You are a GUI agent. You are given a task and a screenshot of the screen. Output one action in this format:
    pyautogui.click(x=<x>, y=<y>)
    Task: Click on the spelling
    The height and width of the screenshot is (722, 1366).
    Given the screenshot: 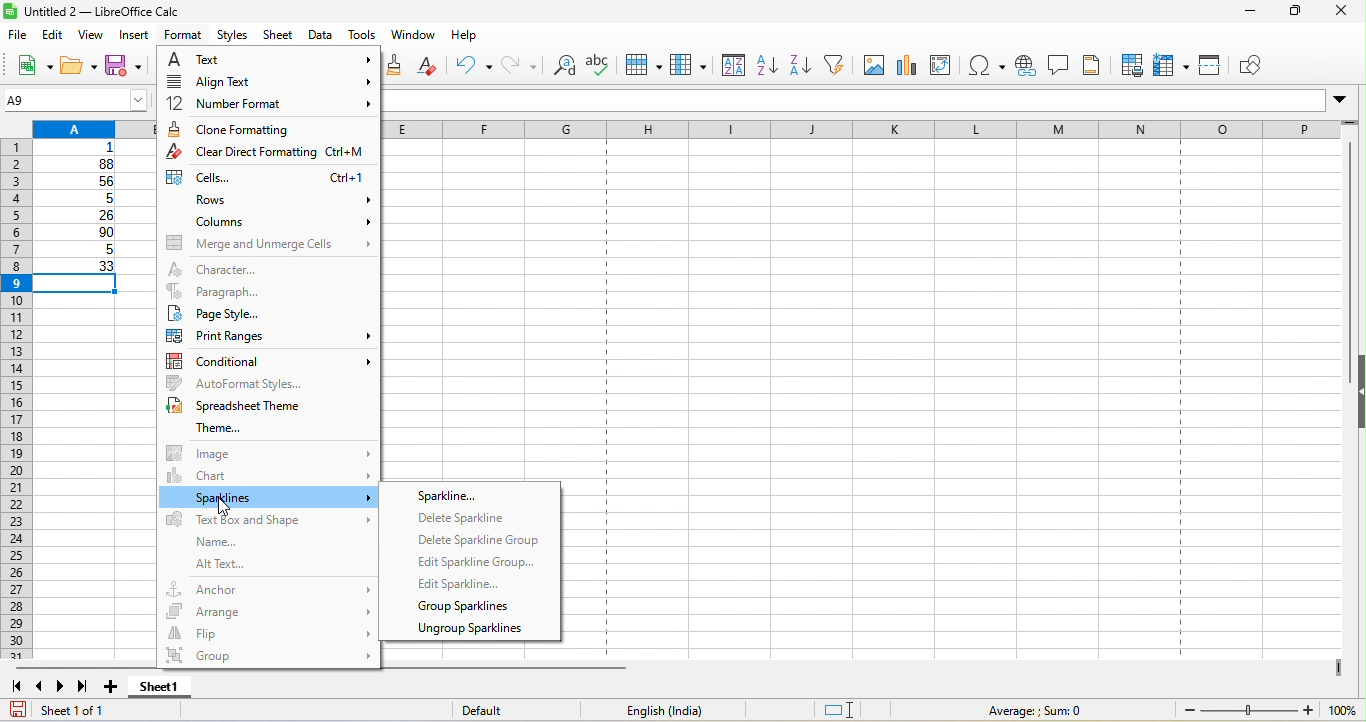 What is the action you would take?
    pyautogui.click(x=598, y=70)
    